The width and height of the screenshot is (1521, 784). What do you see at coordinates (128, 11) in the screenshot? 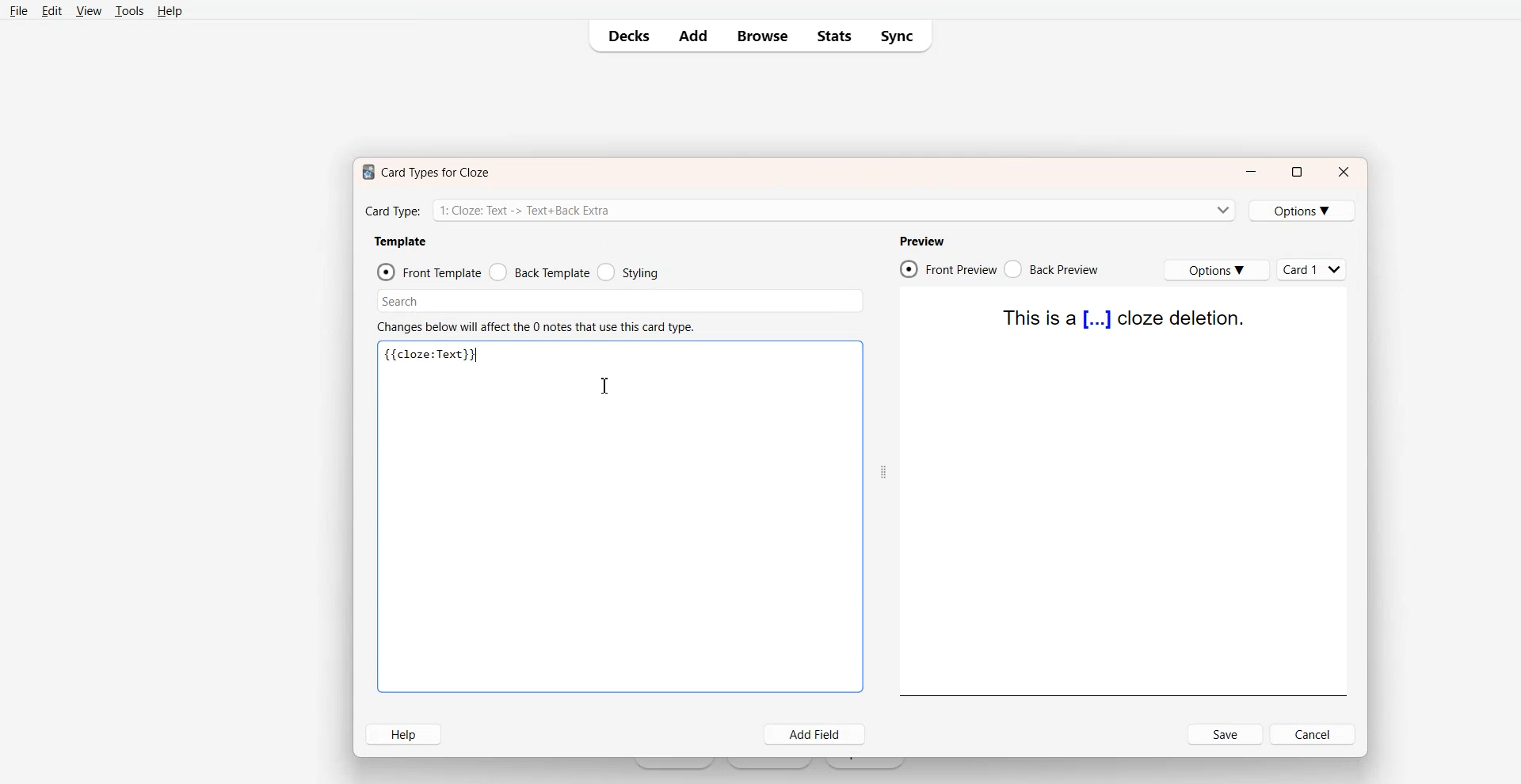
I see `Tools` at bounding box center [128, 11].